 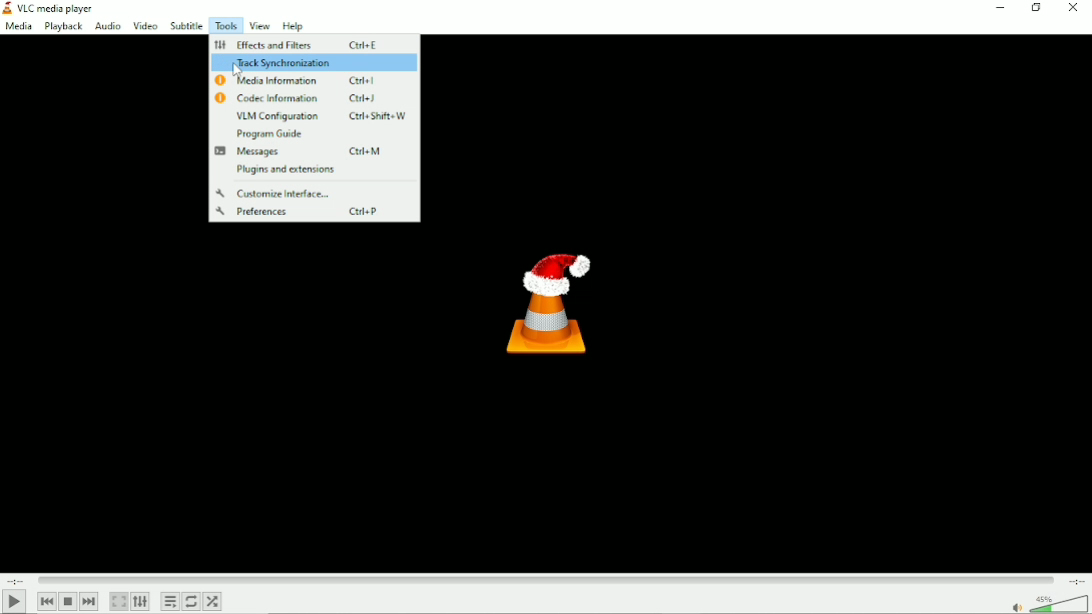 What do you see at coordinates (283, 170) in the screenshot?
I see `plugins and extensions` at bounding box center [283, 170].